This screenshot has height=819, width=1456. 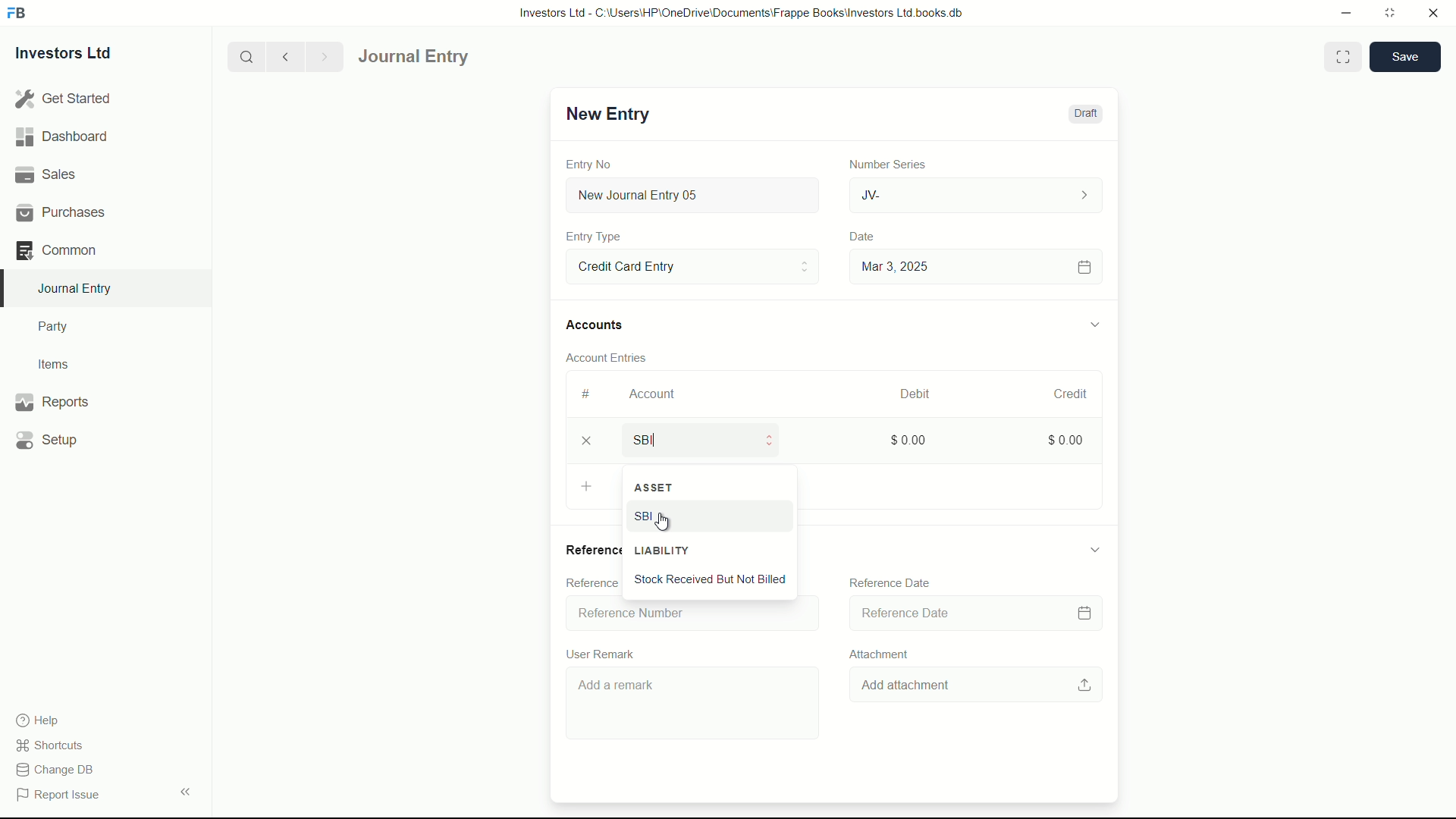 What do you see at coordinates (604, 651) in the screenshot?
I see `User Remark` at bounding box center [604, 651].